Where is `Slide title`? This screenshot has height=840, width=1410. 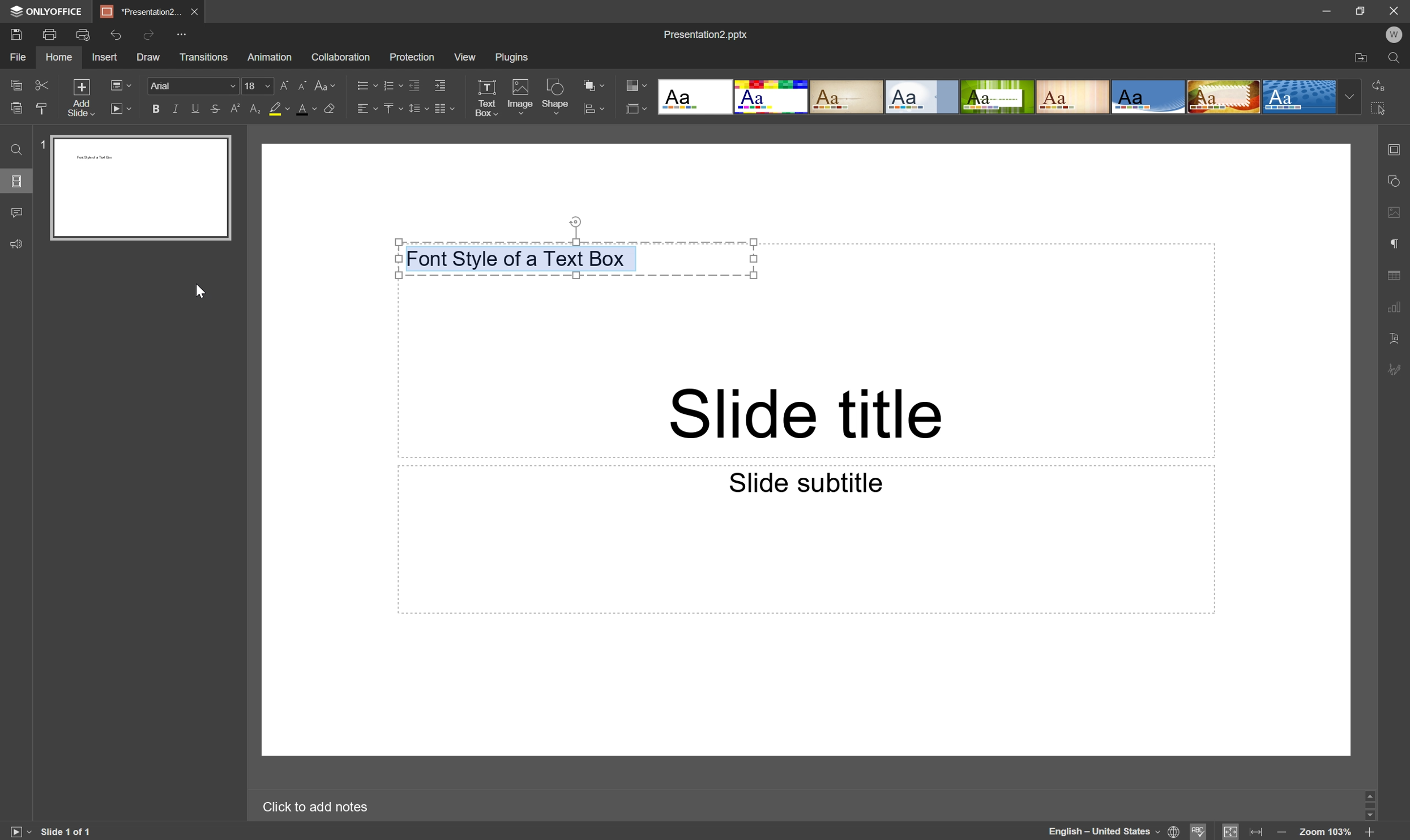
Slide title is located at coordinates (808, 416).